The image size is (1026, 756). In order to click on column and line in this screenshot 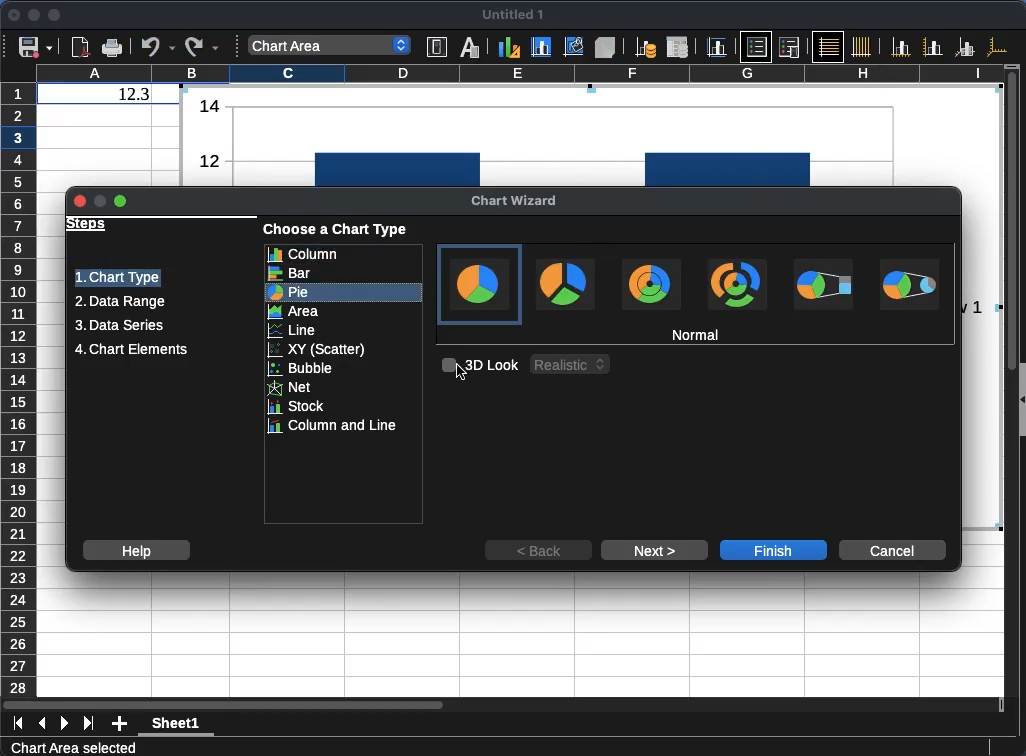, I will do `click(344, 427)`.